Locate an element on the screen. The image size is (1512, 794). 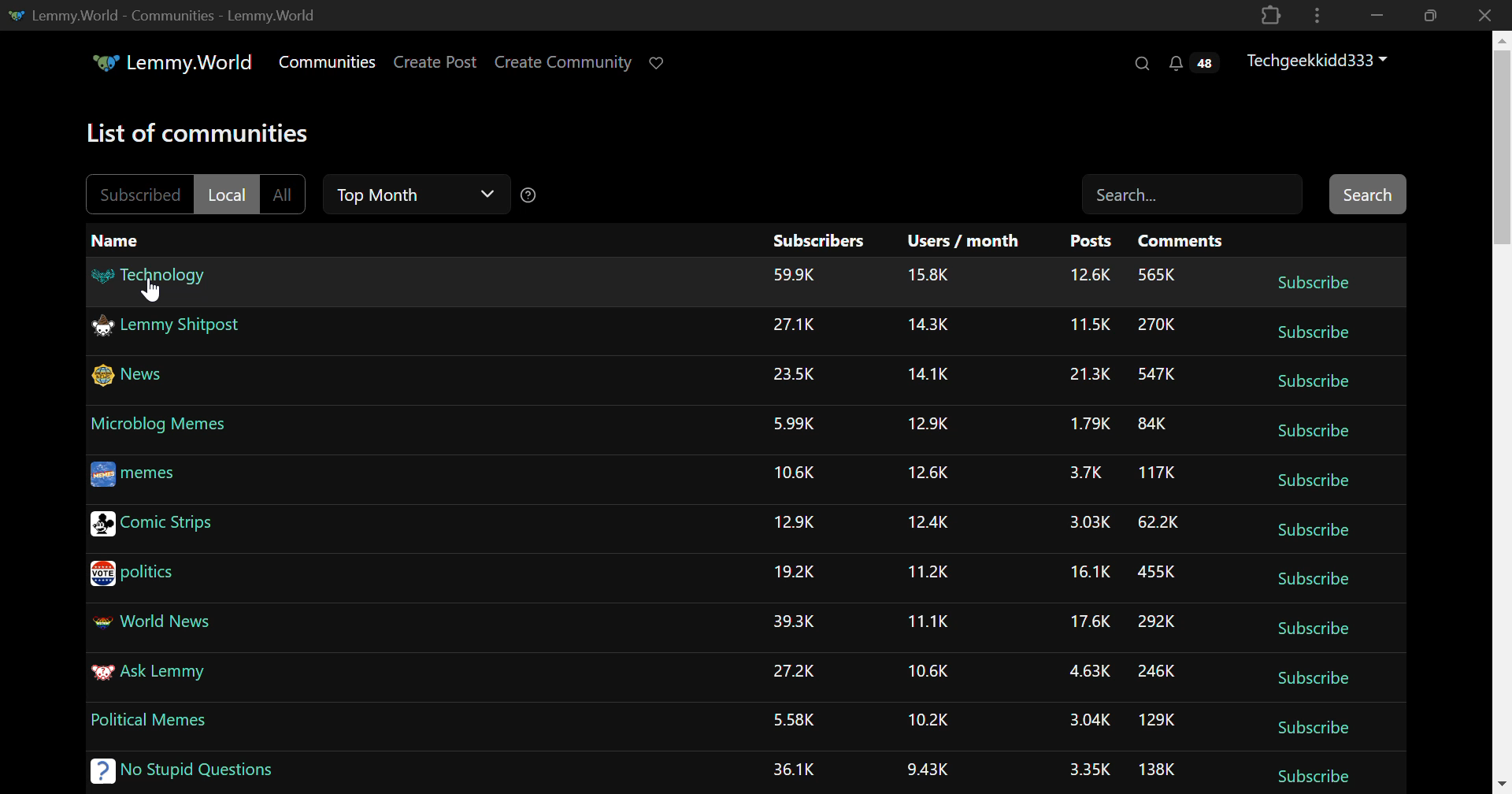
Ask Lemmy is located at coordinates (147, 670).